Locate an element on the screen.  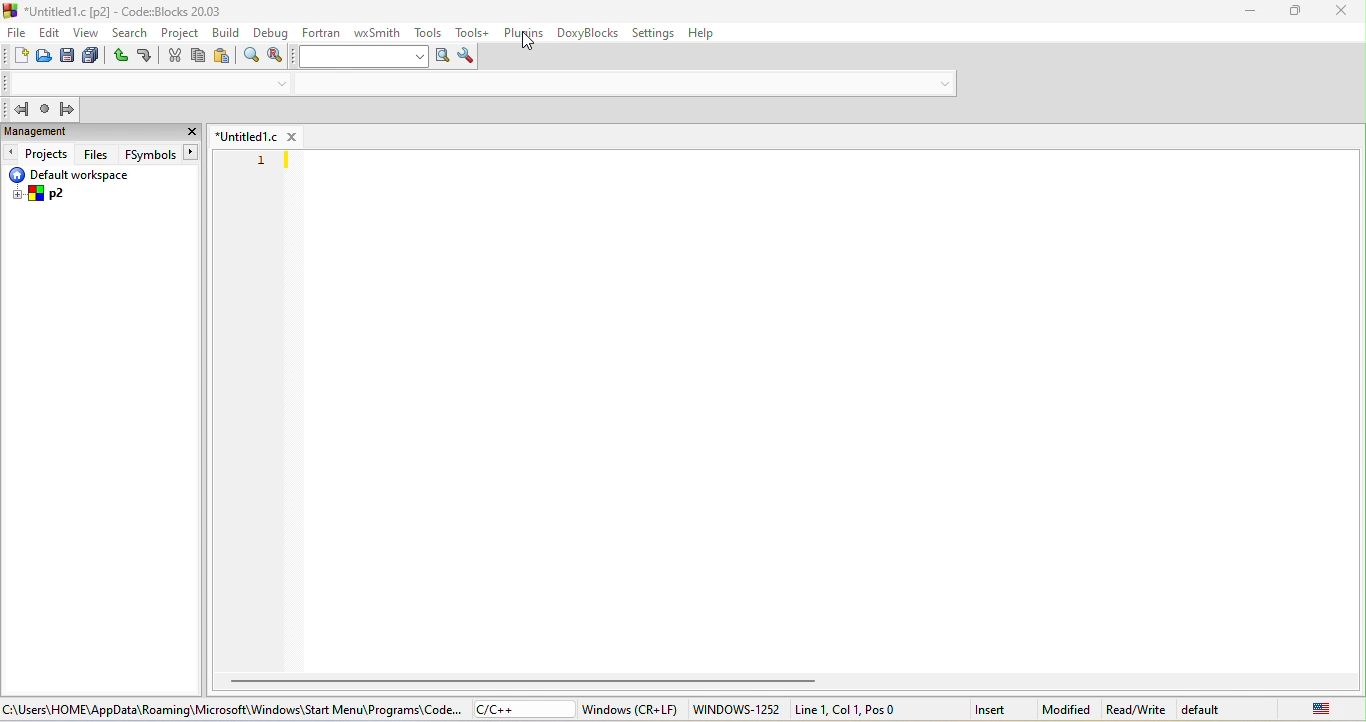
replace is located at coordinates (277, 58).